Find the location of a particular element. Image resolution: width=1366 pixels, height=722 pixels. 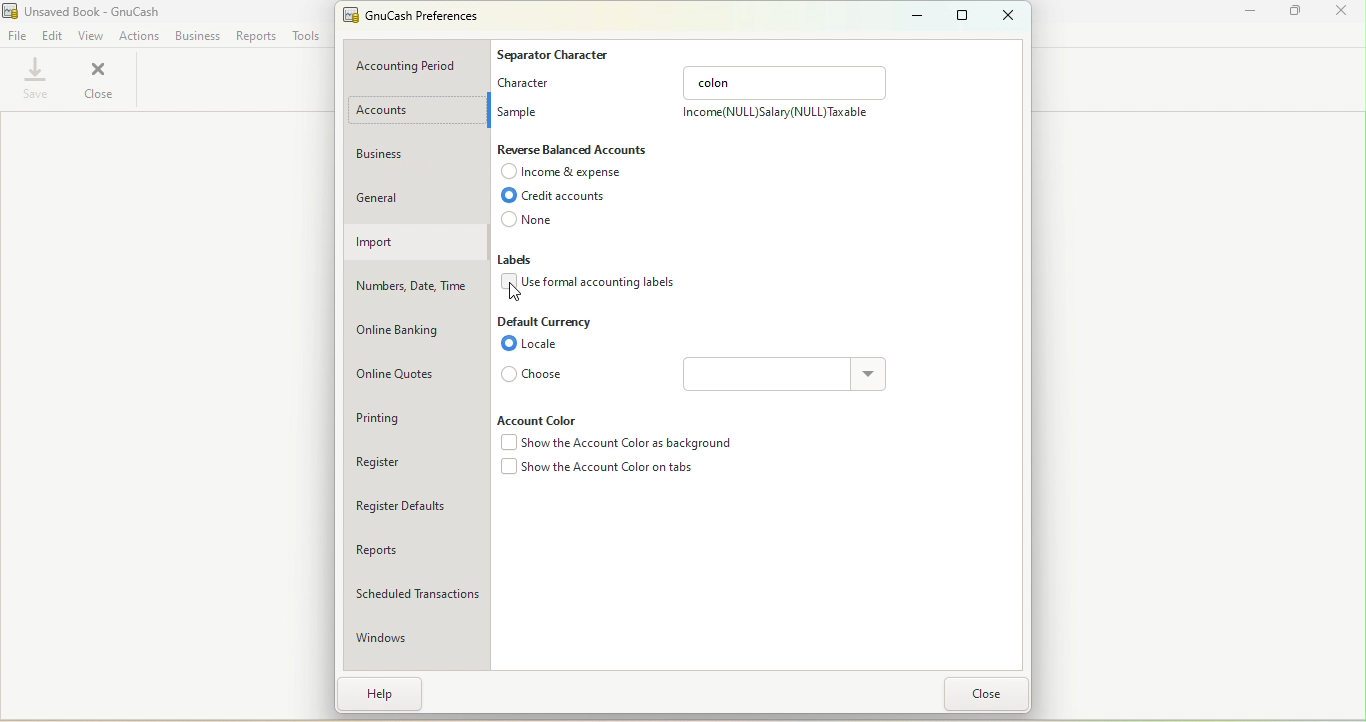

Credit accounts is located at coordinates (565, 198).